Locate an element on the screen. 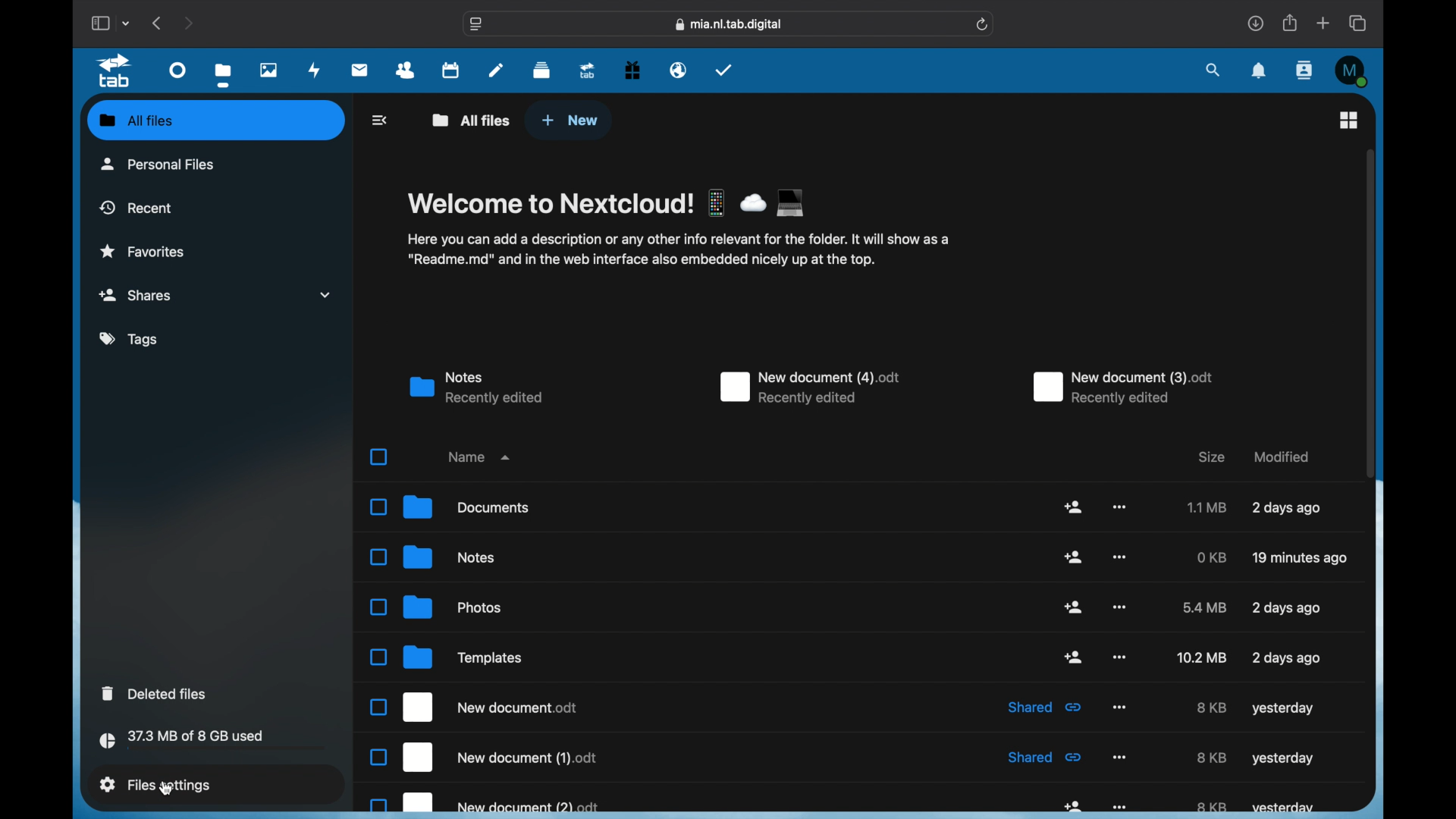 The width and height of the screenshot is (1456, 819). modified is located at coordinates (1301, 559).